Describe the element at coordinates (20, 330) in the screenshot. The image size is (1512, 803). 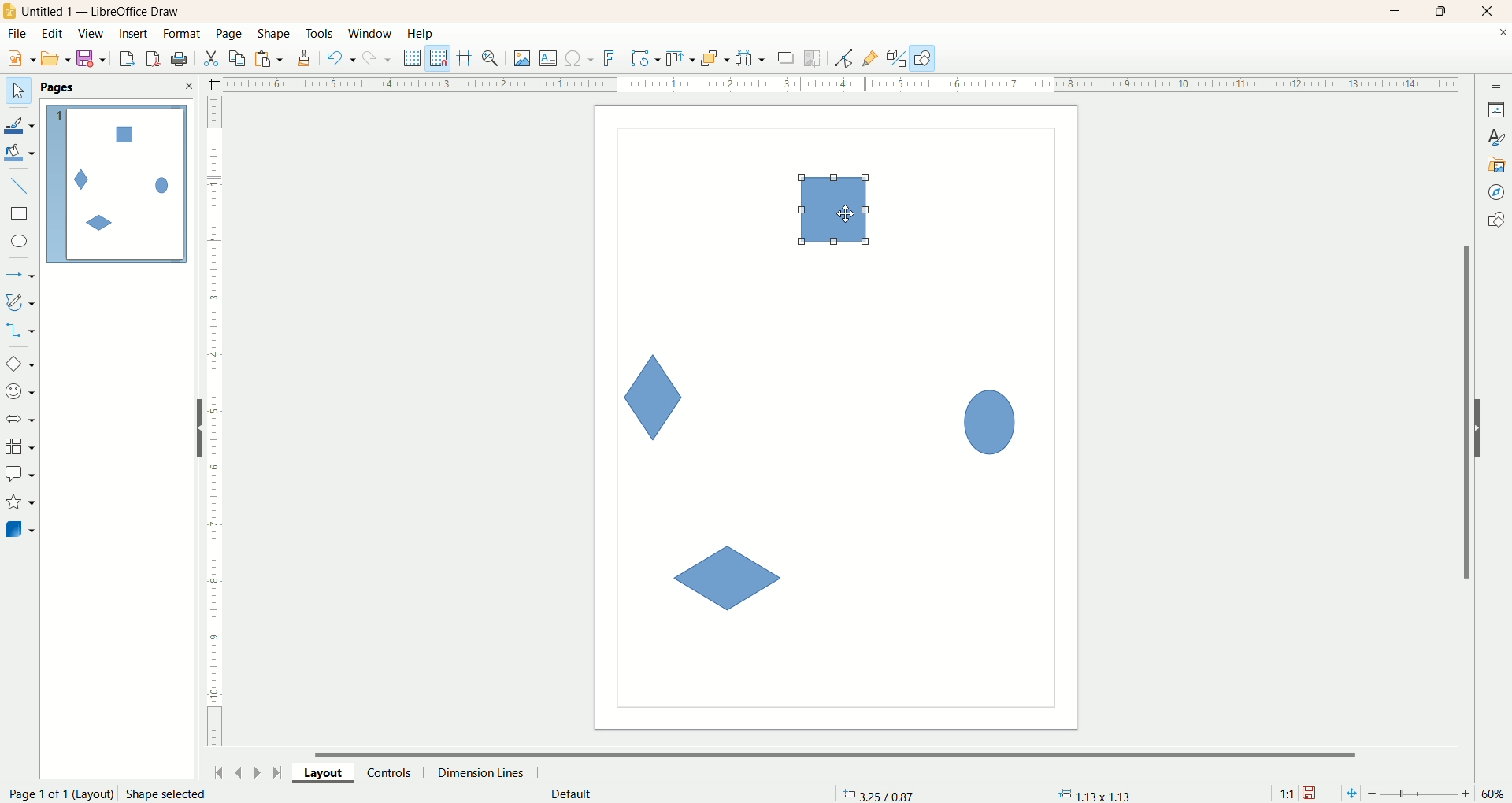
I see `connectors` at that location.